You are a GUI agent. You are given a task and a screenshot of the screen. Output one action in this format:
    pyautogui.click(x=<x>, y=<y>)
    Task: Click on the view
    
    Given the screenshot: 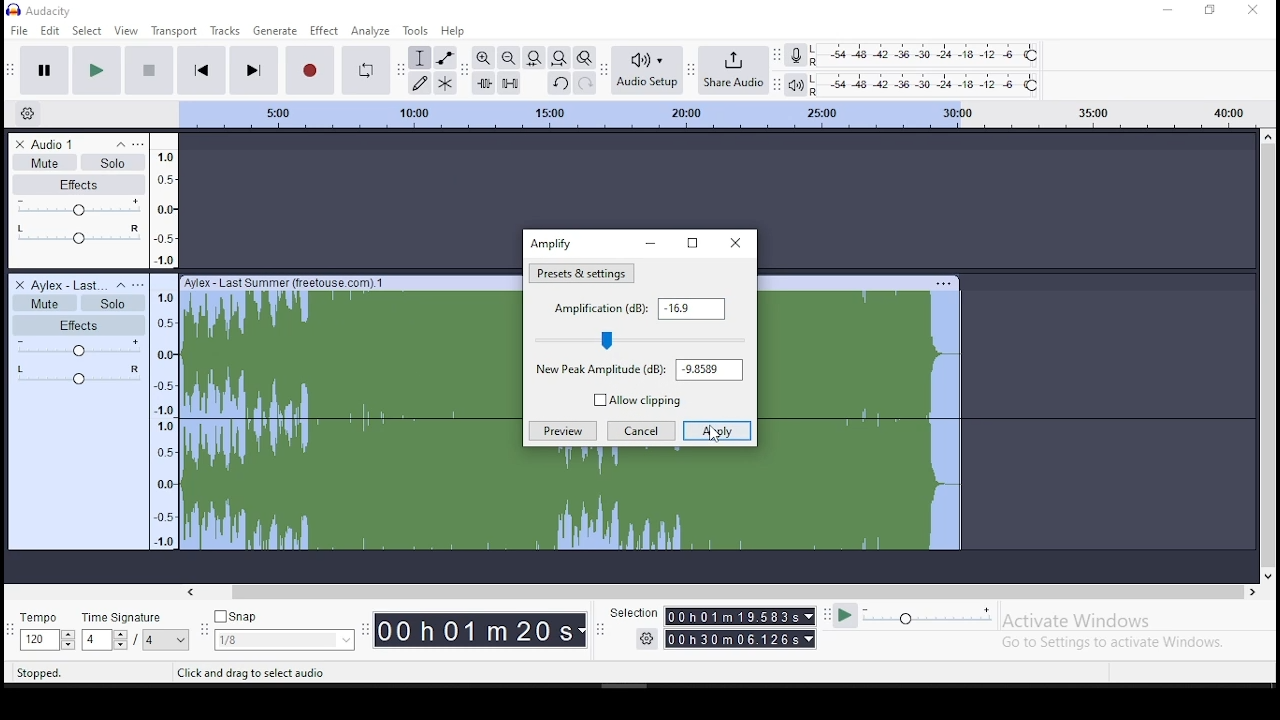 What is the action you would take?
    pyautogui.click(x=129, y=30)
    